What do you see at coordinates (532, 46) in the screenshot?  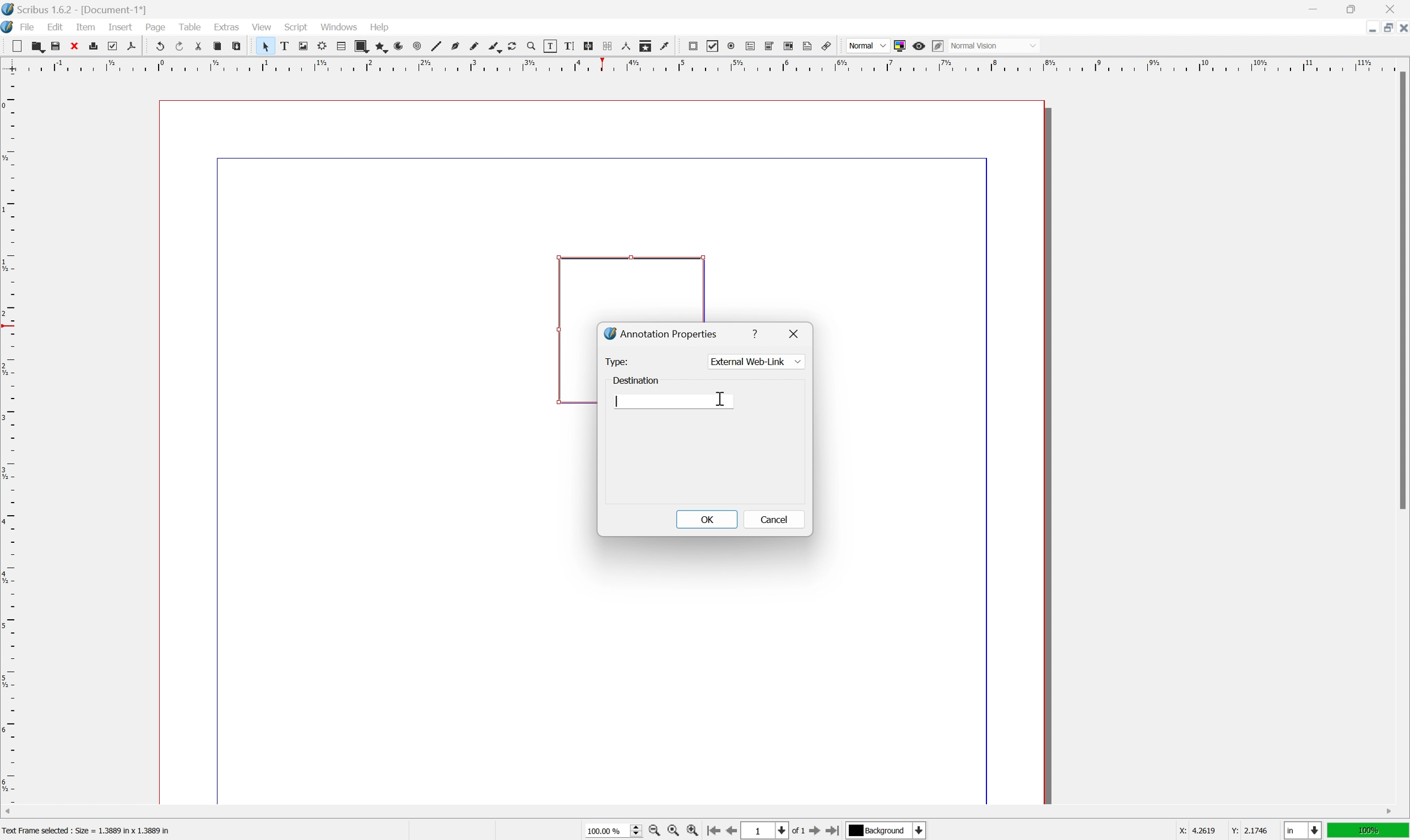 I see `zoom in or zoom out` at bounding box center [532, 46].